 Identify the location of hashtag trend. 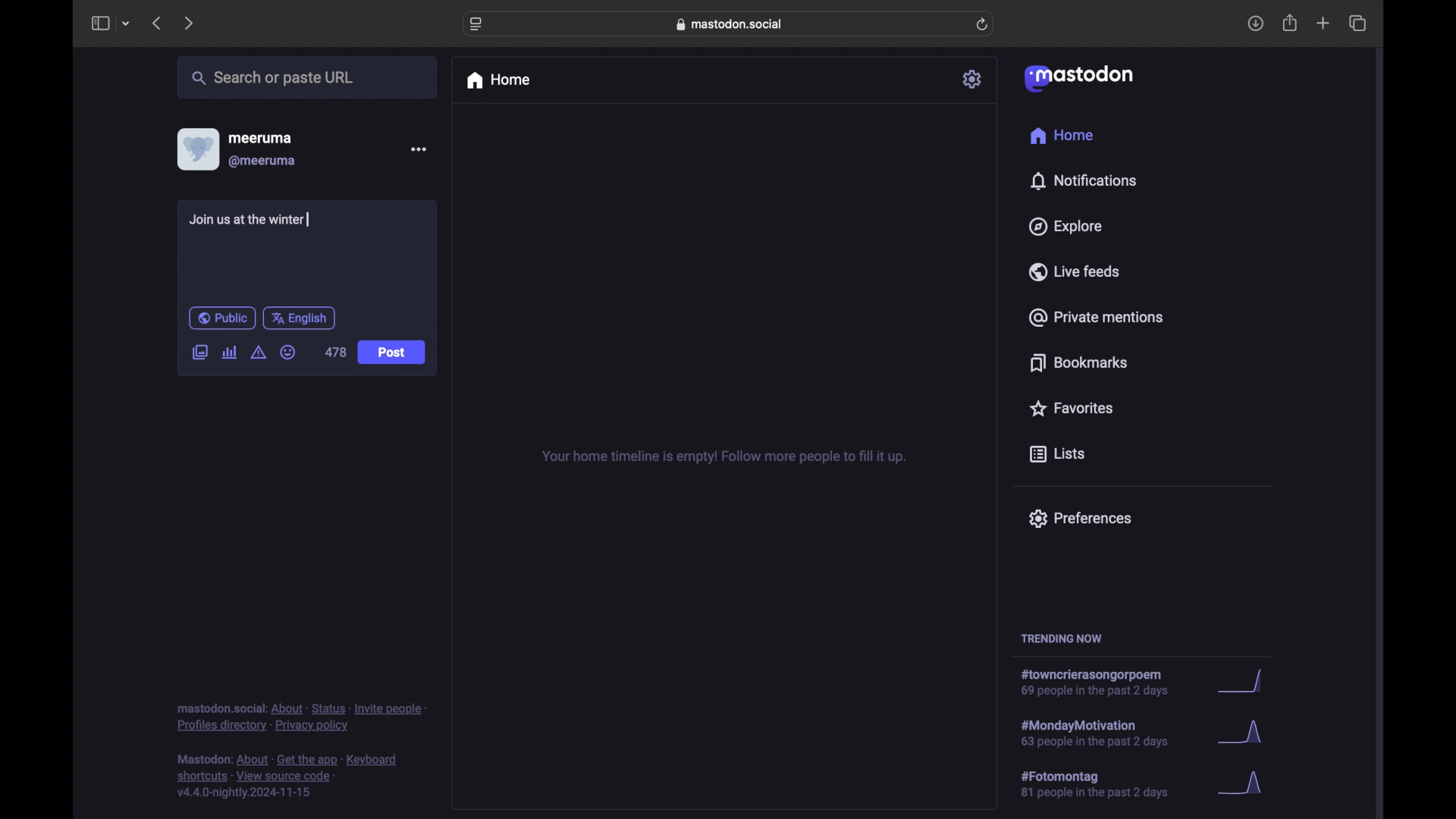
(1105, 732).